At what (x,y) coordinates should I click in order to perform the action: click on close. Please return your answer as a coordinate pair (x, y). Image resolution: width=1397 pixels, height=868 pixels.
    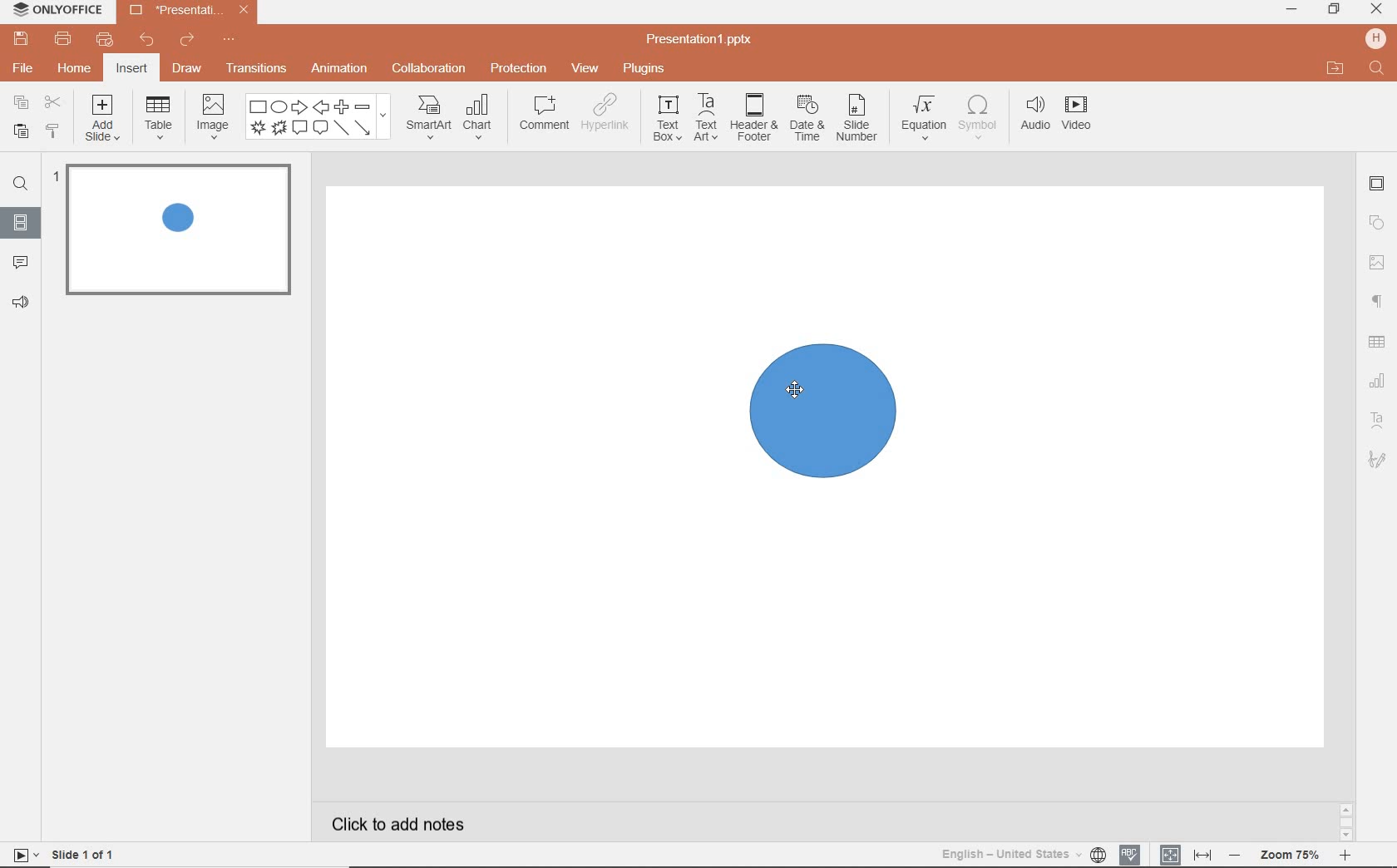
    Looking at the image, I should click on (1376, 11).